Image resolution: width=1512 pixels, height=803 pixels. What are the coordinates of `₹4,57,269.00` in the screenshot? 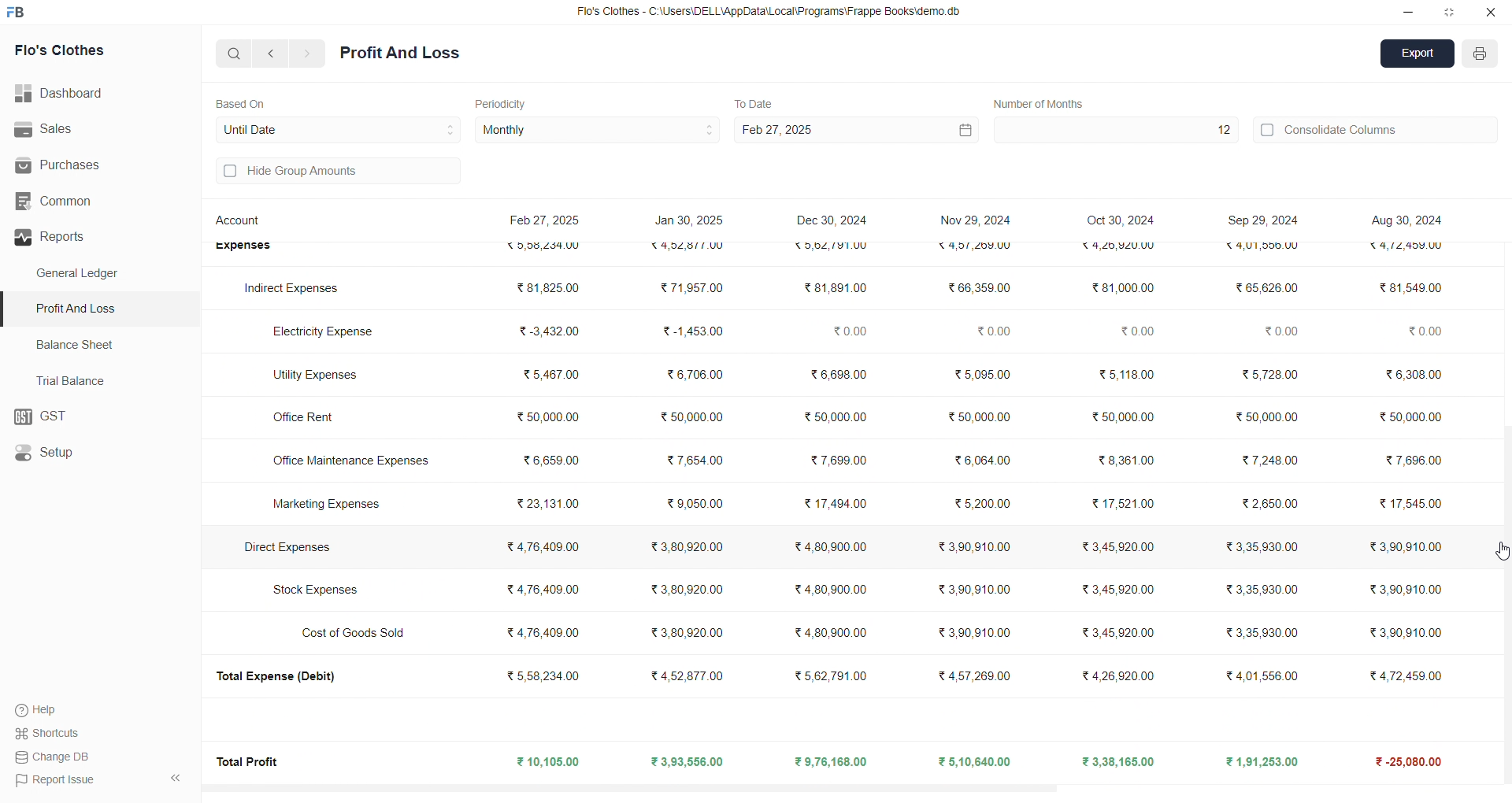 It's located at (976, 674).